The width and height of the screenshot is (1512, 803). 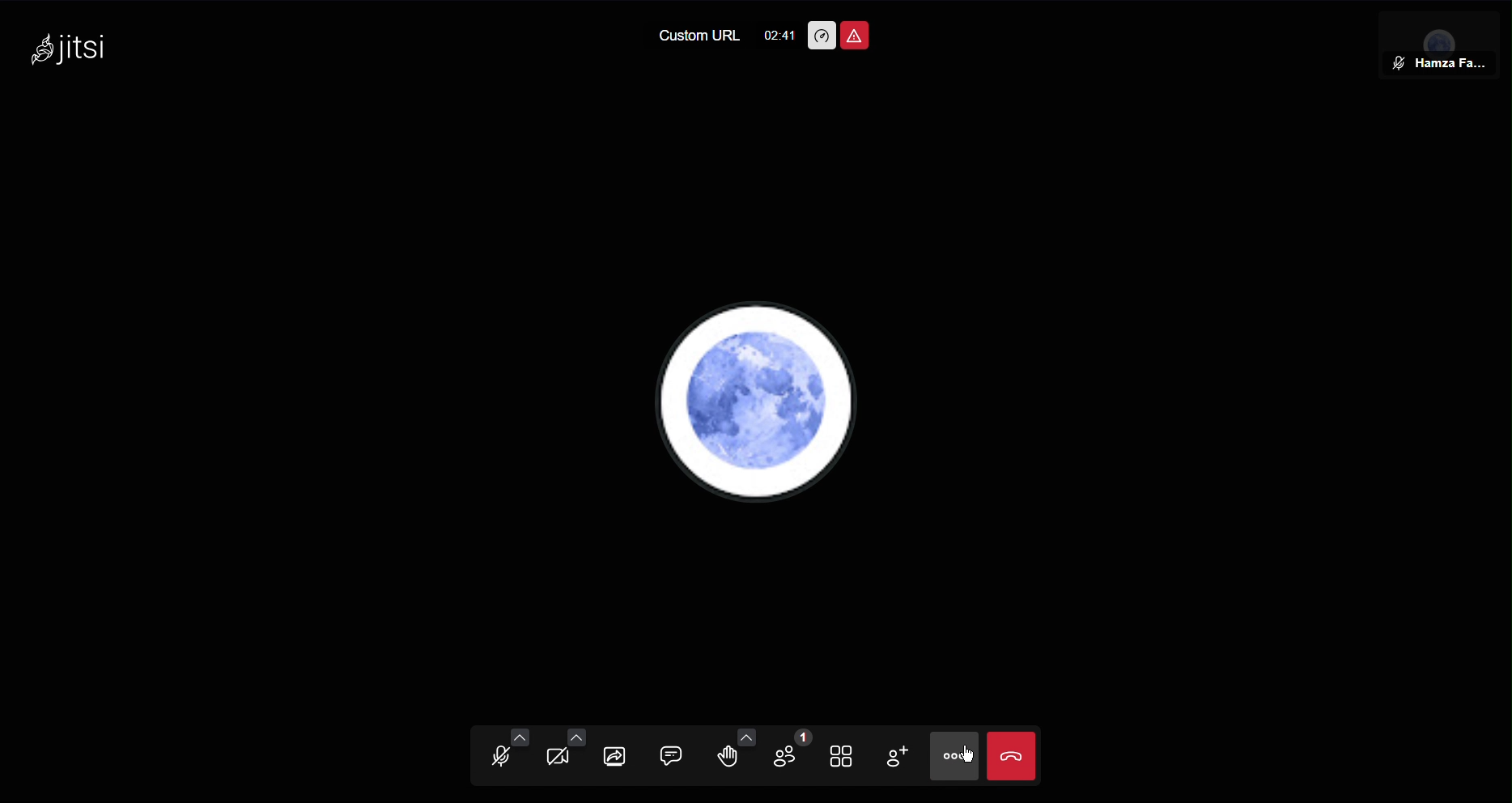 I want to click on More, so click(x=958, y=755).